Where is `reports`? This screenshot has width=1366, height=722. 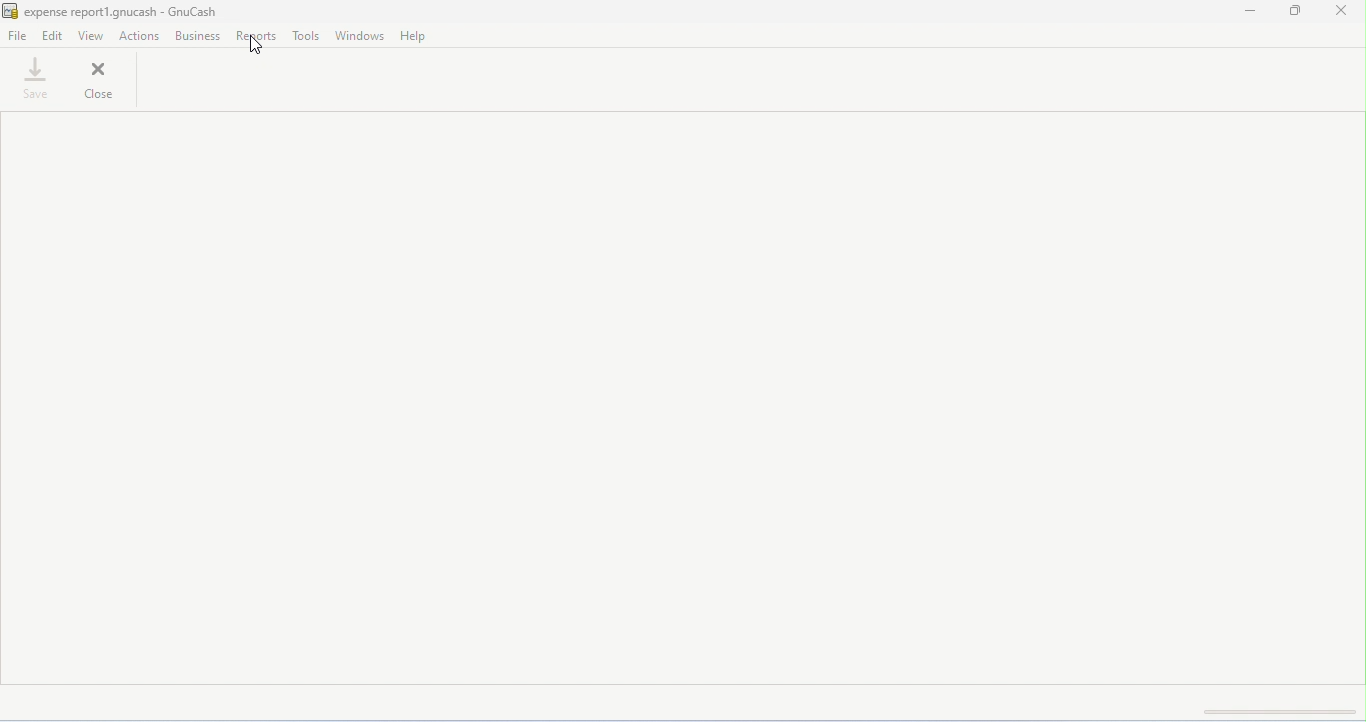 reports is located at coordinates (259, 35).